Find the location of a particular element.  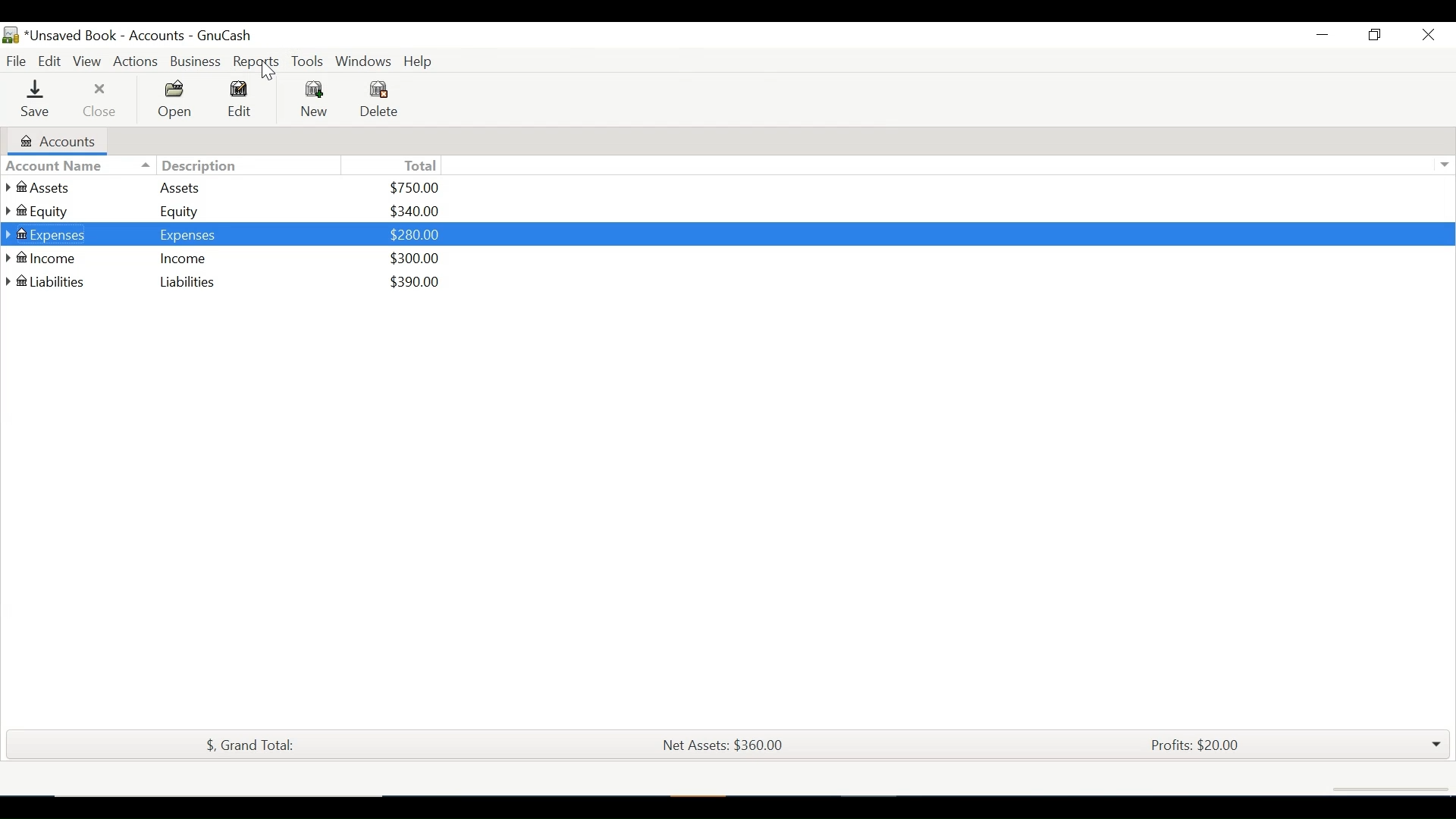

Restore is located at coordinates (1372, 36).